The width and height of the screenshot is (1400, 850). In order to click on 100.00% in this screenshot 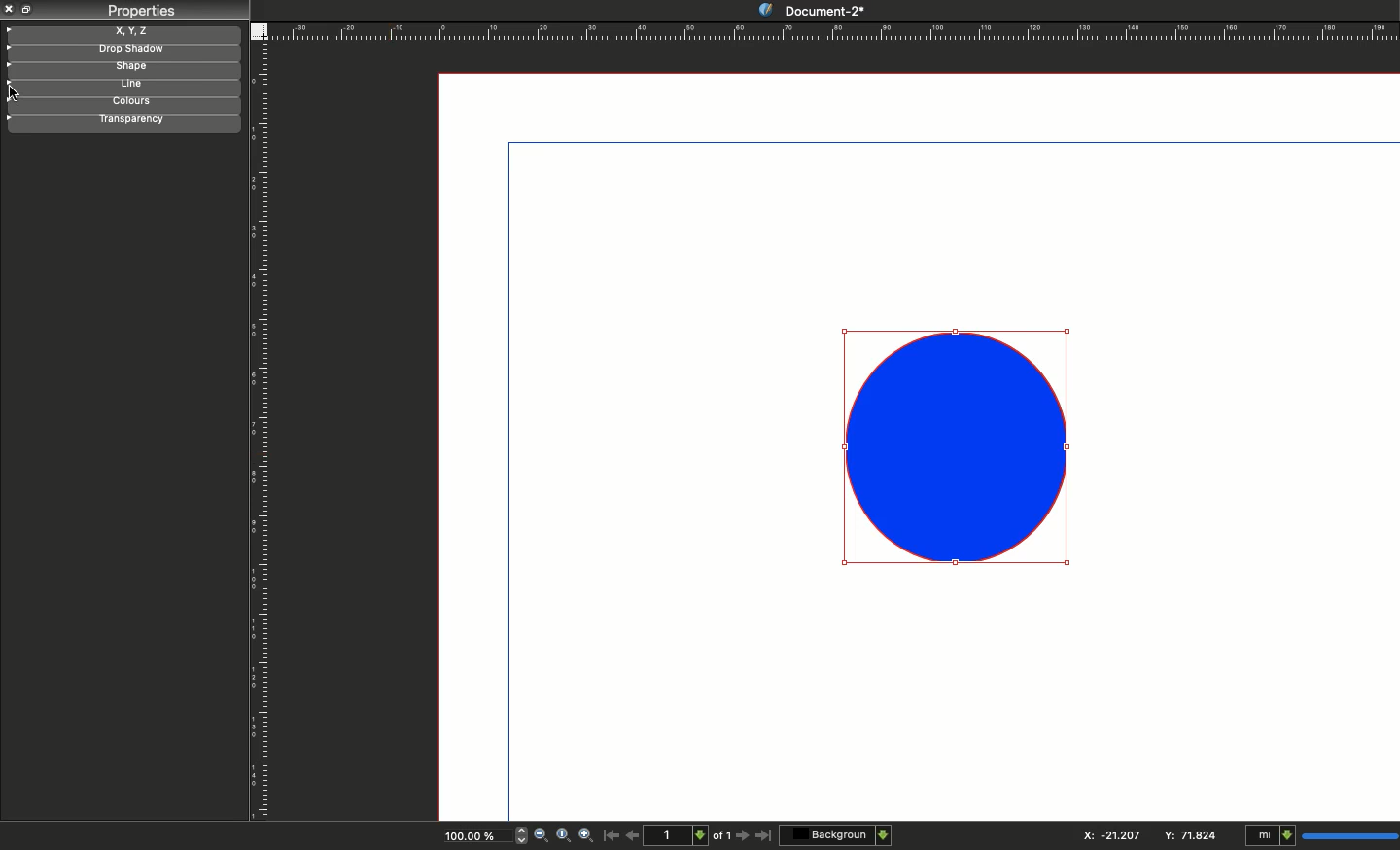, I will do `click(468, 838)`.